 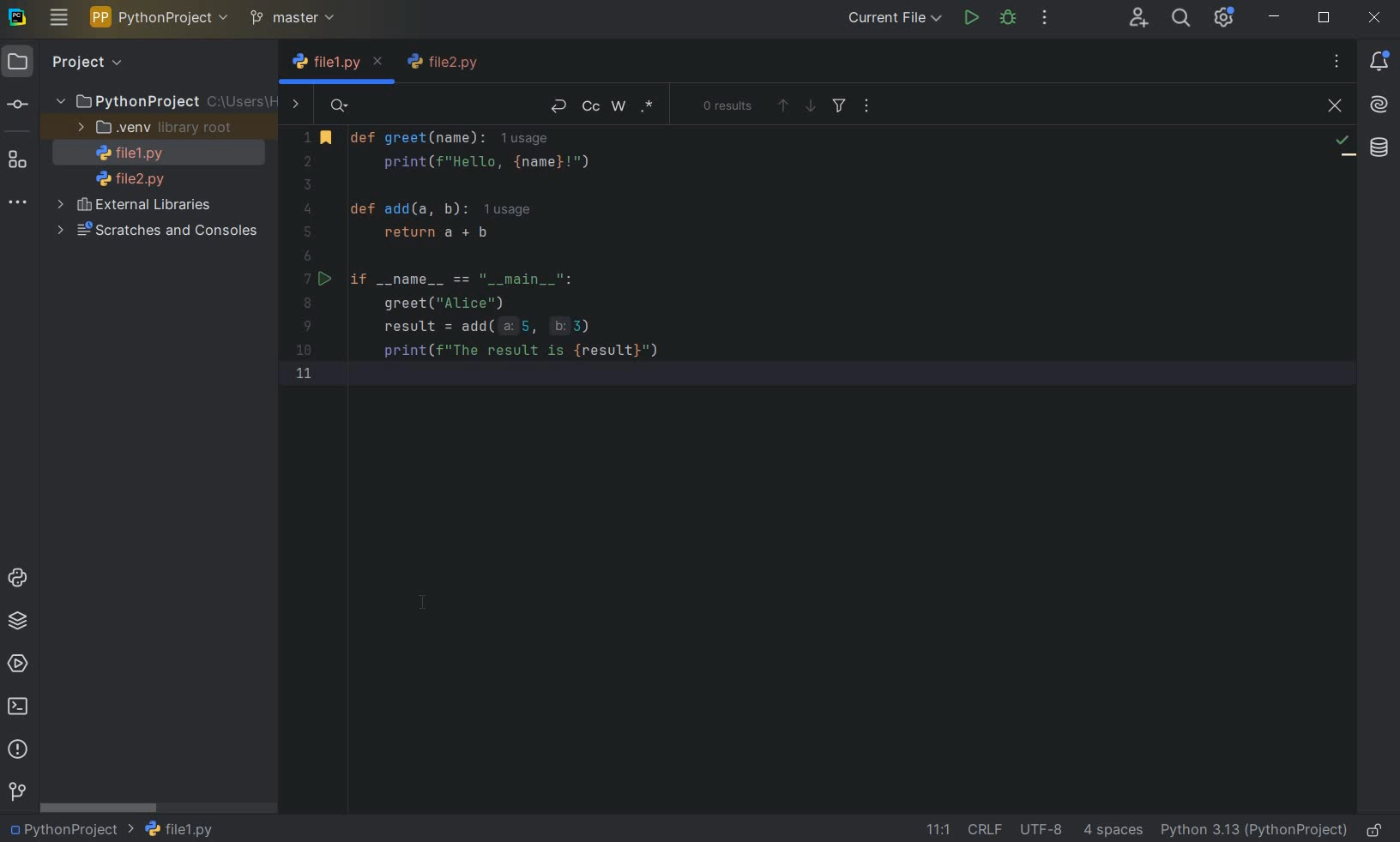 I want to click on PROBLEMS, so click(x=18, y=750).